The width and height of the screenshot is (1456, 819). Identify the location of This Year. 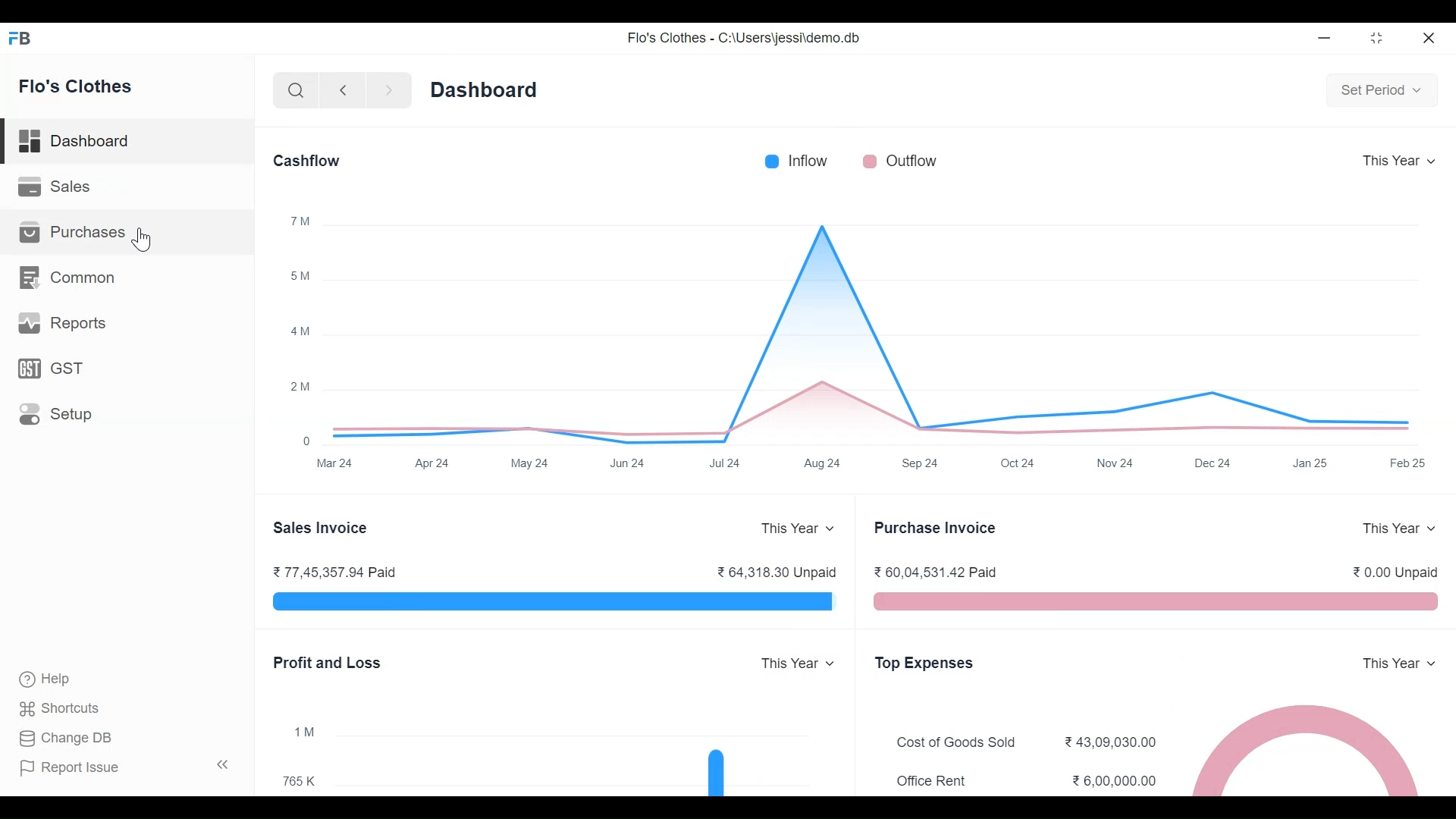
(801, 529).